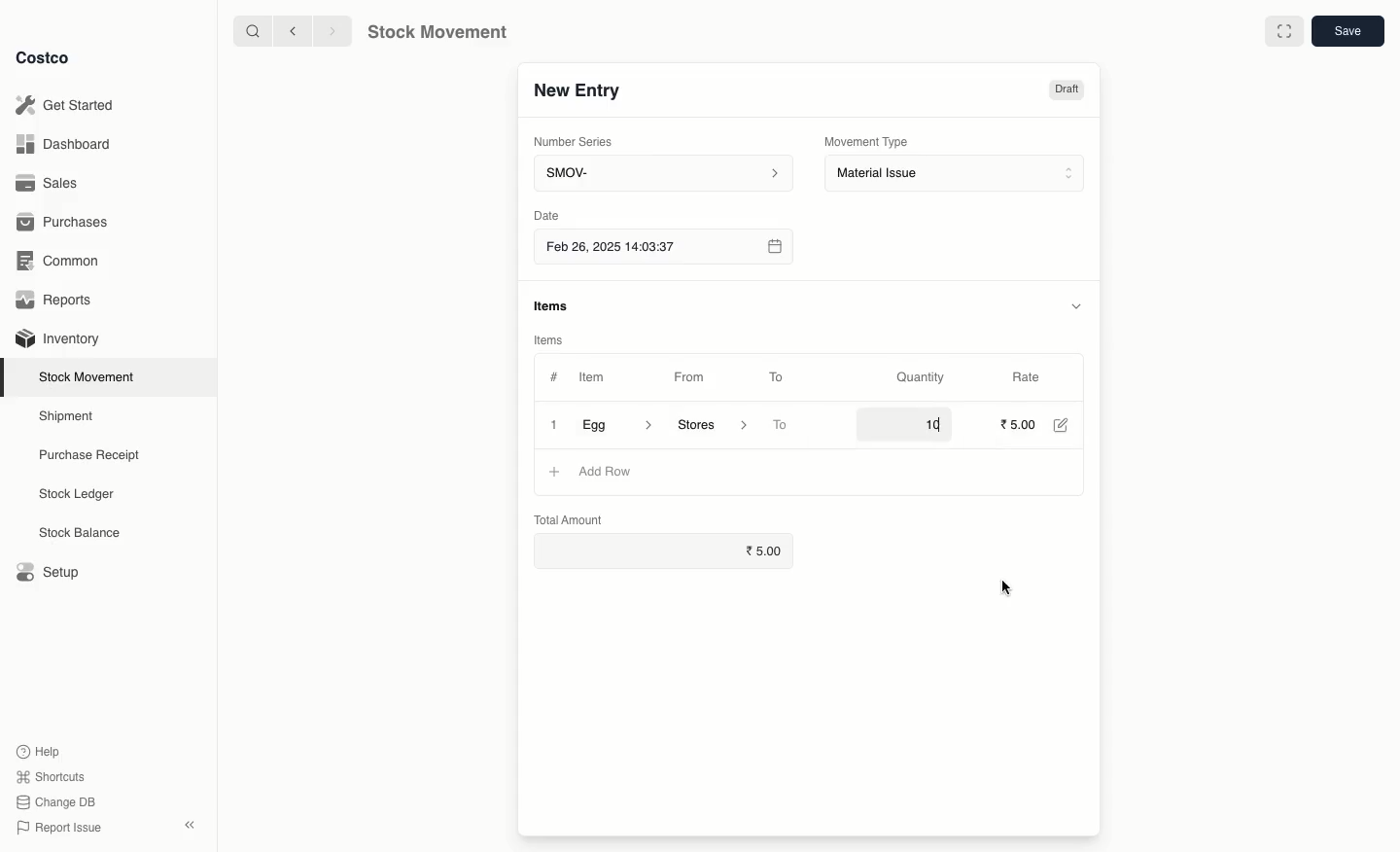  Describe the element at coordinates (50, 182) in the screenshot. I see `Sales` at that location.